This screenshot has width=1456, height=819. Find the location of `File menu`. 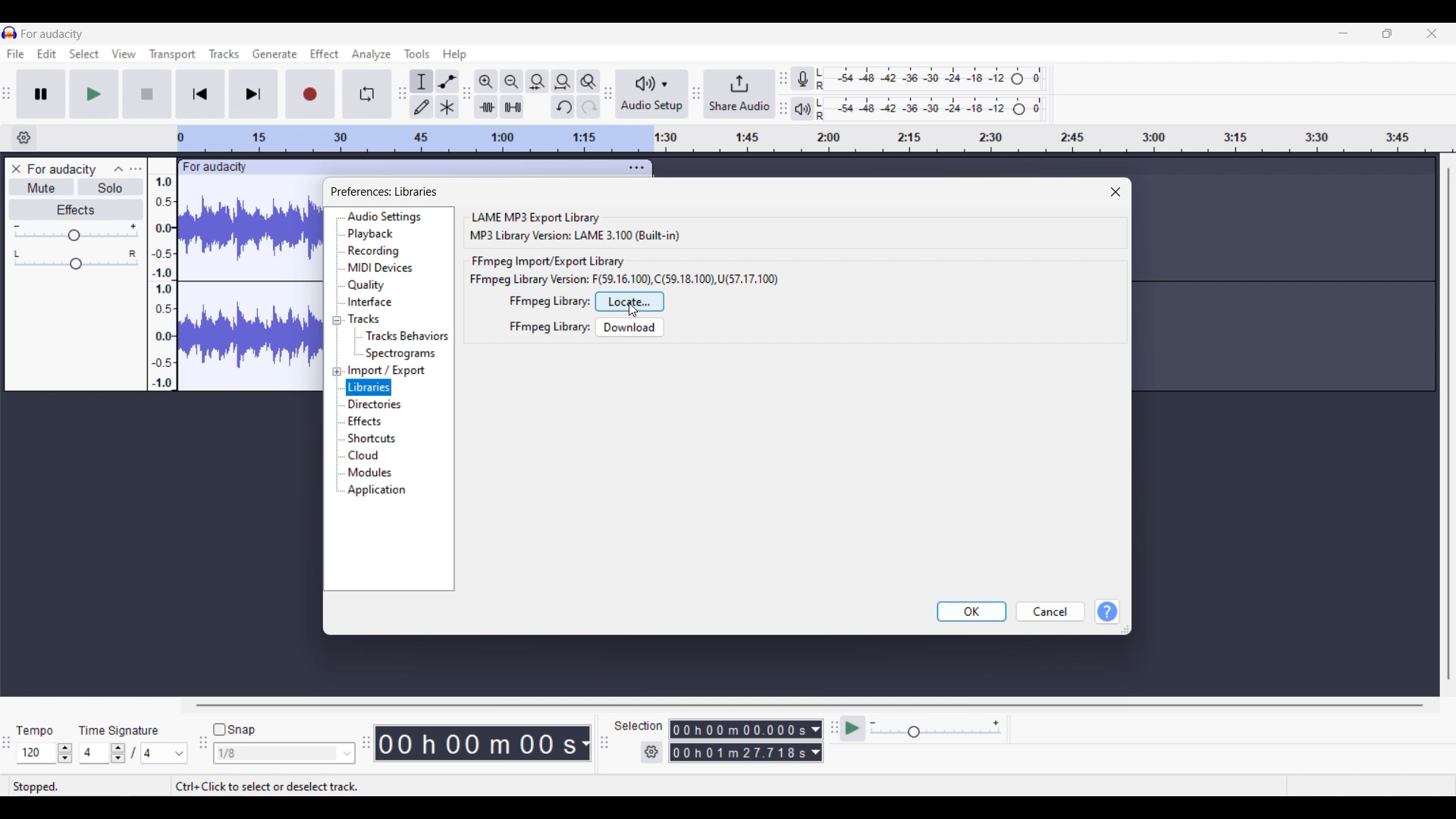

File menu is located at coordinates (15, 54).